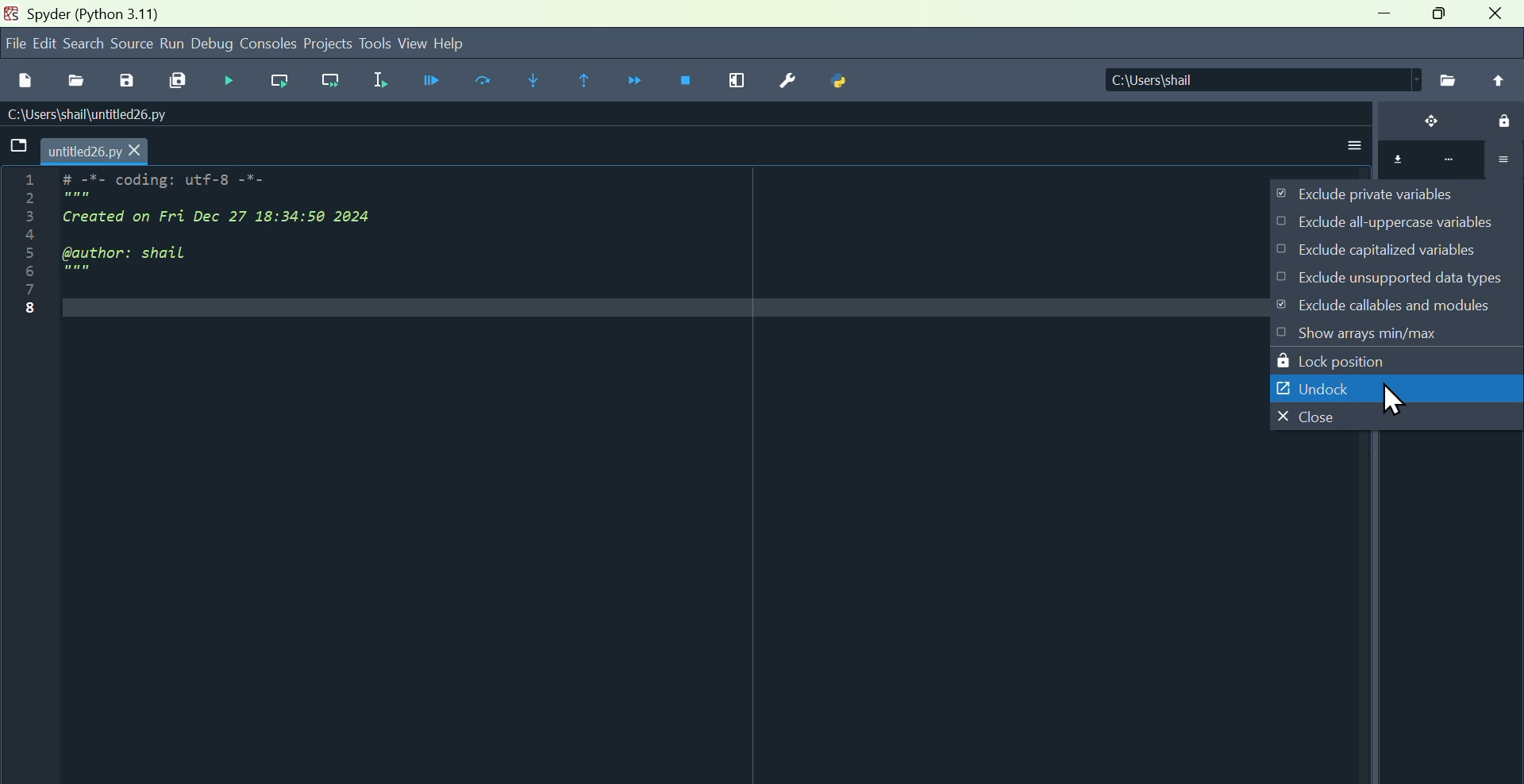 This screenshot has width=1524, height=784. I want to click on 8 Lock position, so click(1350, 359).